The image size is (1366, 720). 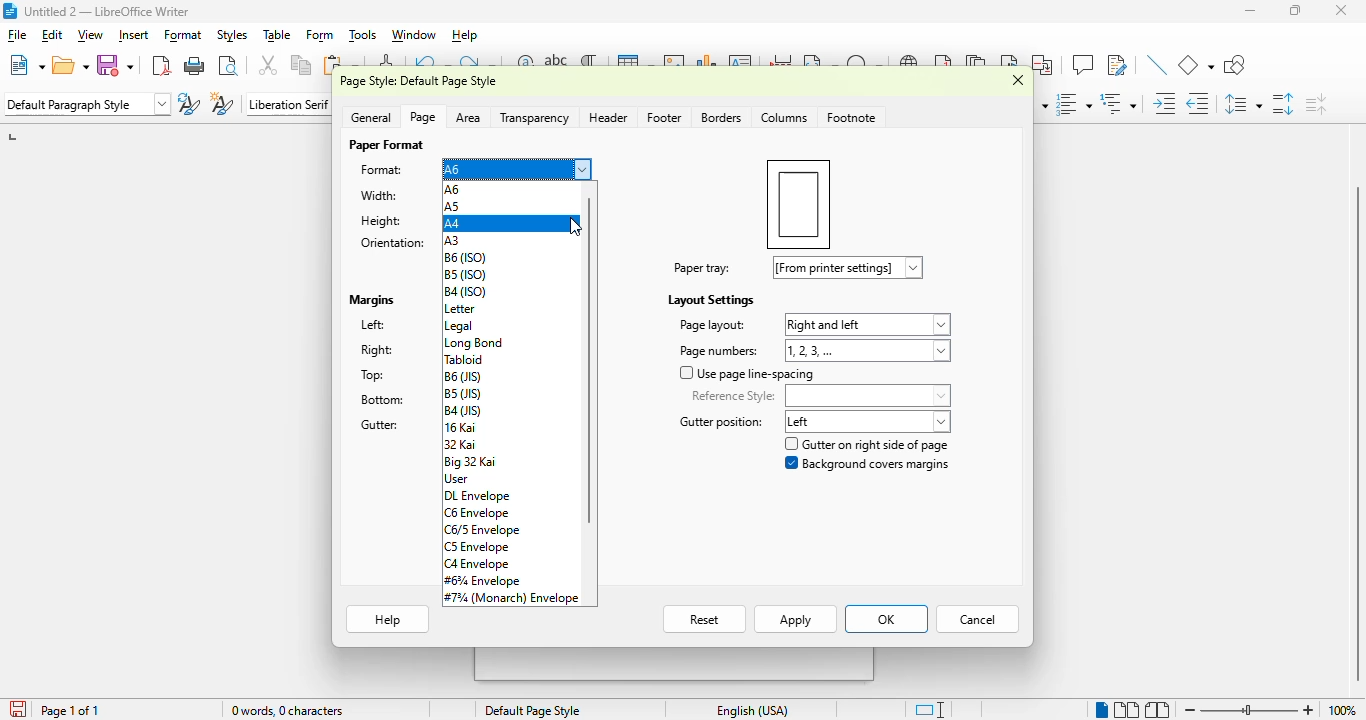 What do you see at coordinates (455, 189) in the screenshot?
I see `A6` at bounding box center [455, 189].